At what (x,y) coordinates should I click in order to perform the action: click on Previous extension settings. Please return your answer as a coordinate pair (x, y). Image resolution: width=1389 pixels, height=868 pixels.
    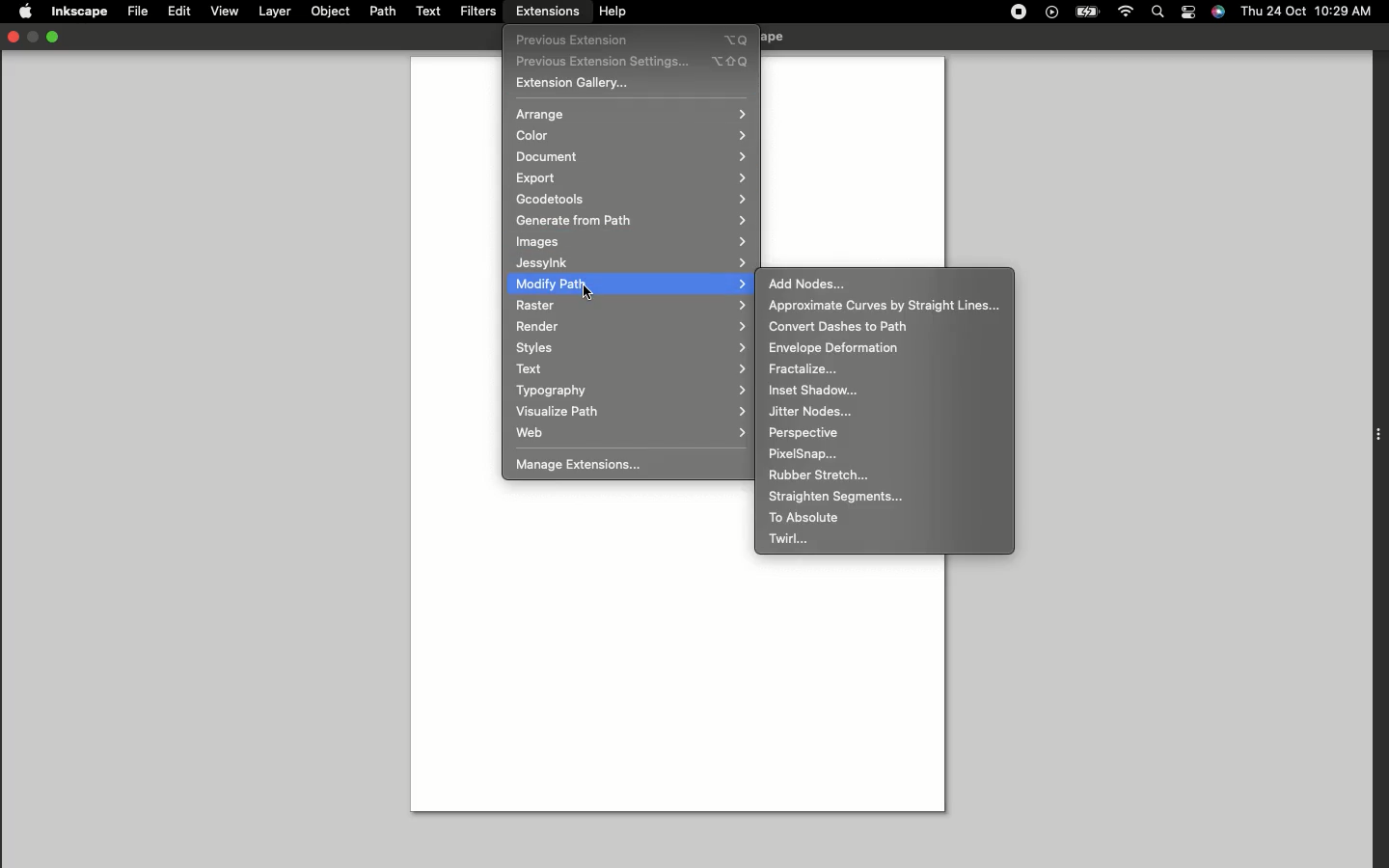
    Looking at the image, I should click on (633, 62).